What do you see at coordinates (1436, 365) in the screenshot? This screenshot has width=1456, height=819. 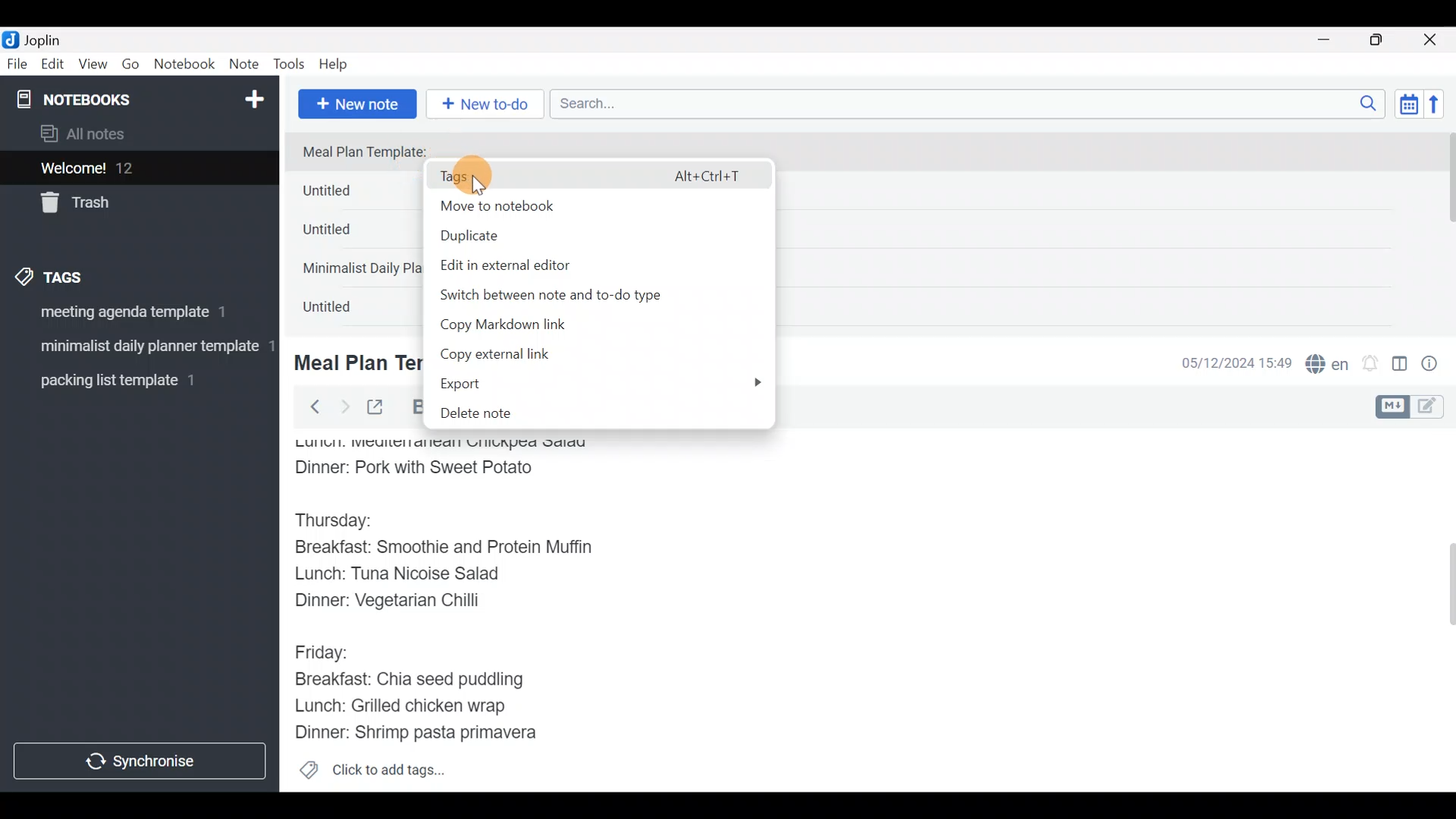 I see `Note properties` at bounding box center [1436, 365].